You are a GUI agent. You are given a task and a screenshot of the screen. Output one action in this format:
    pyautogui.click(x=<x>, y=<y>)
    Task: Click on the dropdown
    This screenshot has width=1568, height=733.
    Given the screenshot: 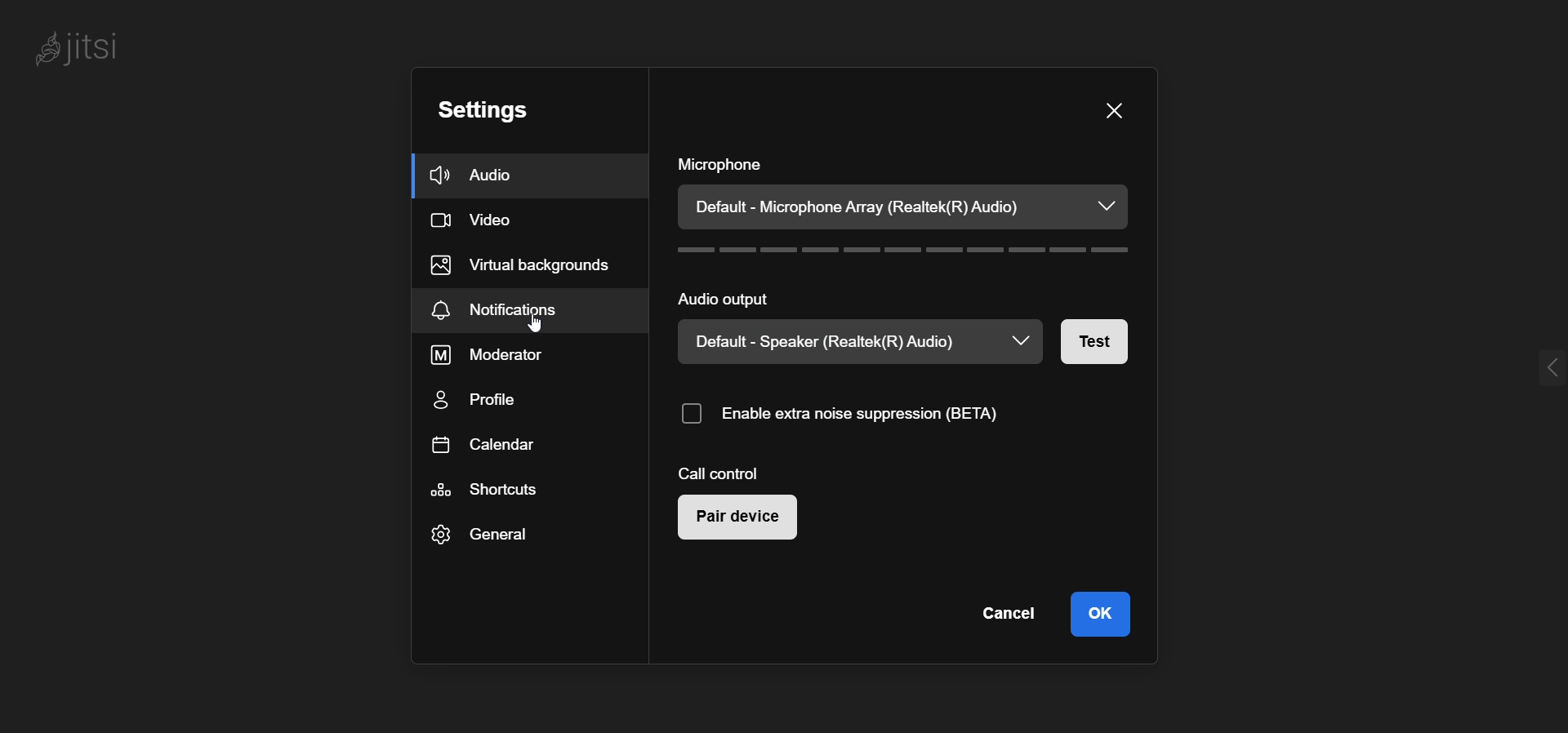 What is the action you would take?
    pyautogui.click(x=1107, y=207)
    